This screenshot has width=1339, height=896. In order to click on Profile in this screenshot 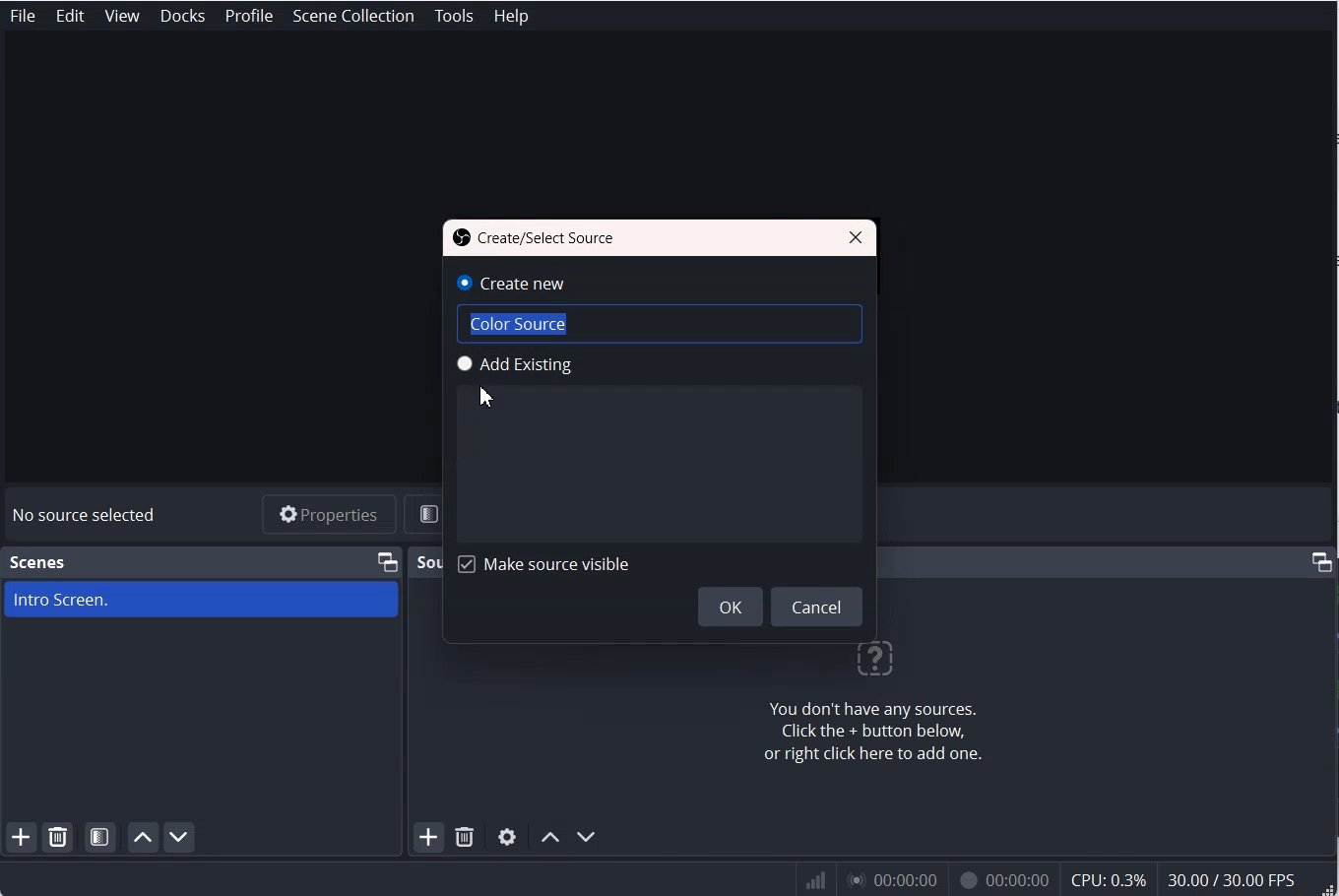, I will do `click(248, 16)`.